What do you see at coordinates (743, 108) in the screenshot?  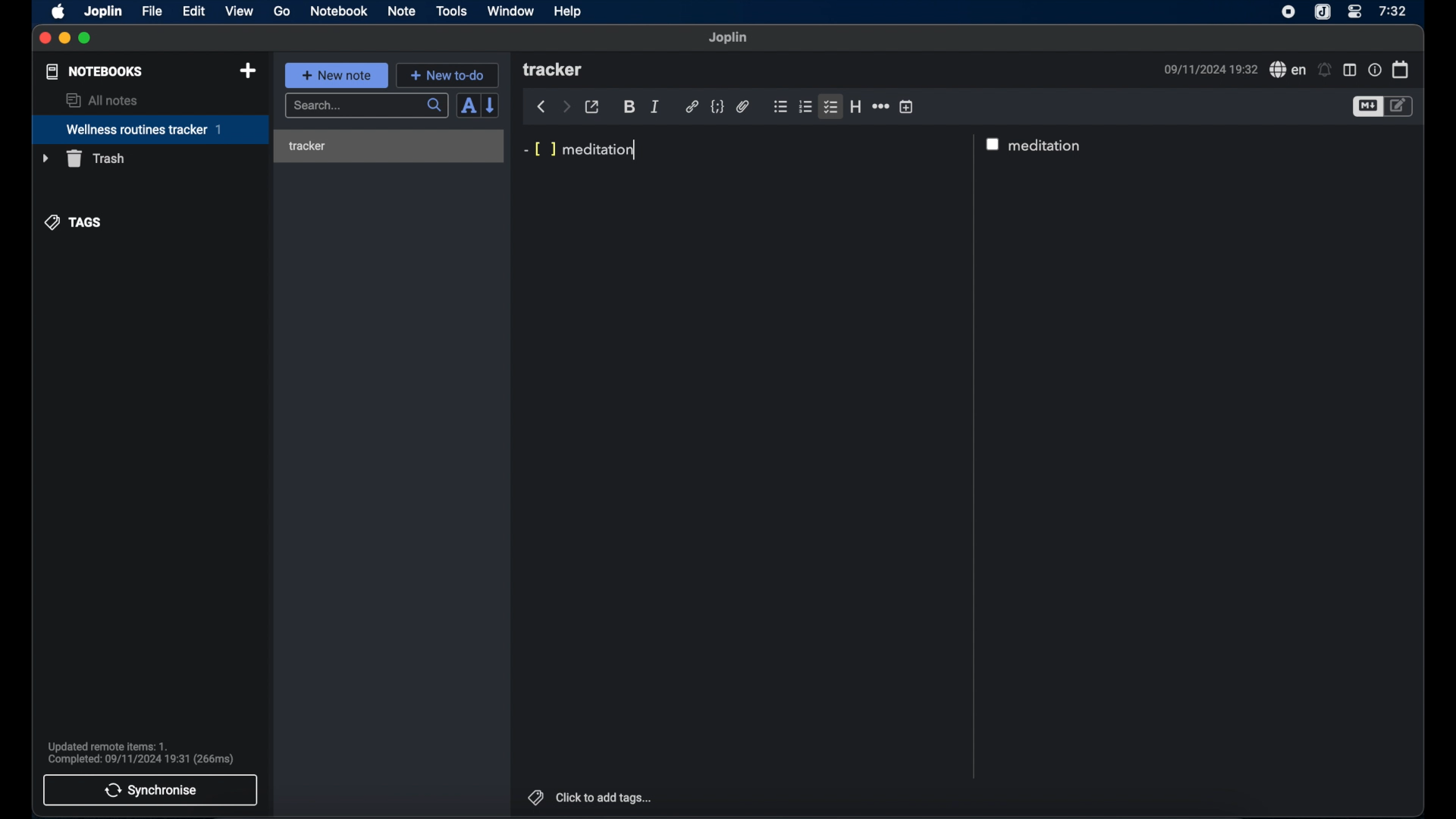 I see `attach file` at bounding box center [743, 108].